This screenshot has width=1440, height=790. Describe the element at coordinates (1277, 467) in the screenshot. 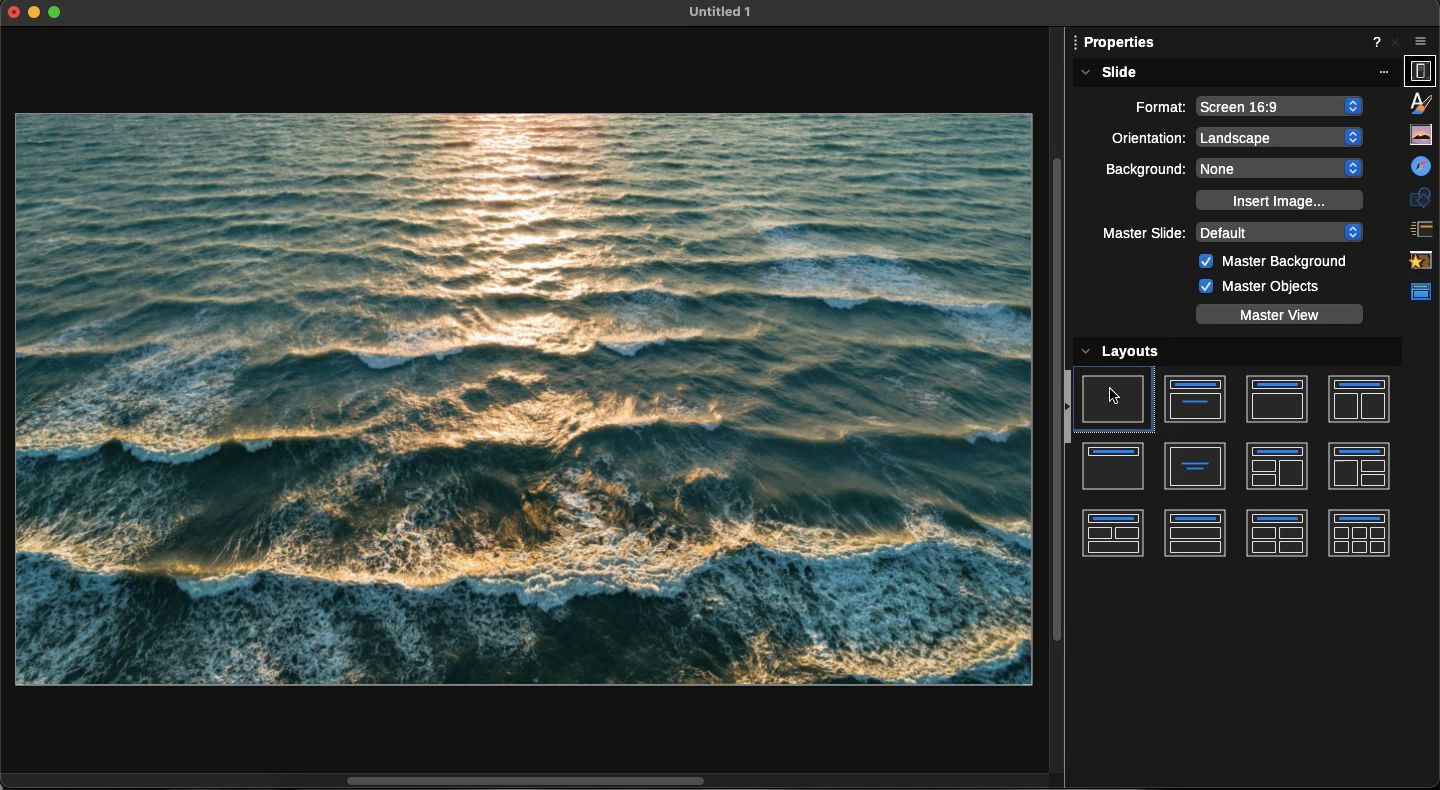

I see `Title and three boxes` at that location.